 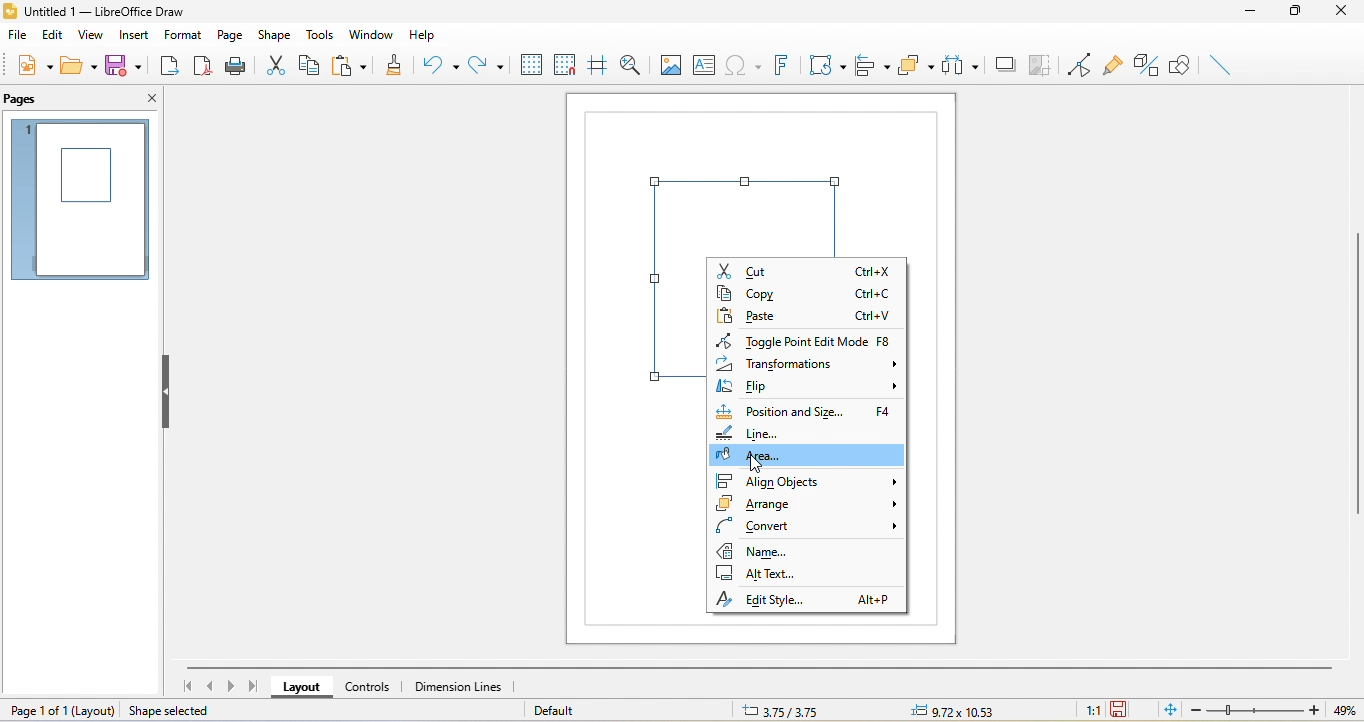 What do you see at coordinates (804, 599) in the screenshot?
I see `edit style` at bounding box center [804, 599].